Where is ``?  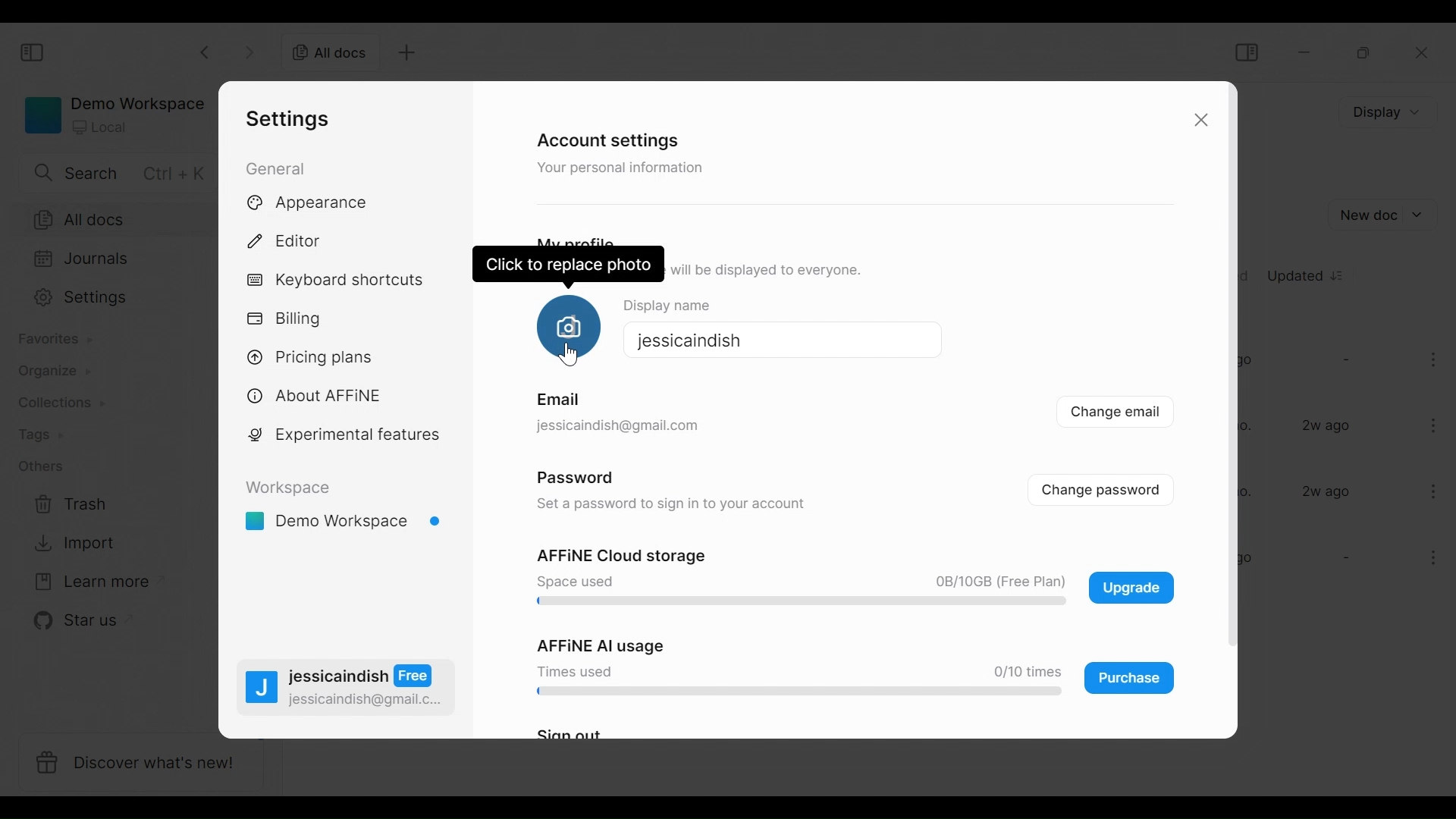  is located at coordinates (672, 504).